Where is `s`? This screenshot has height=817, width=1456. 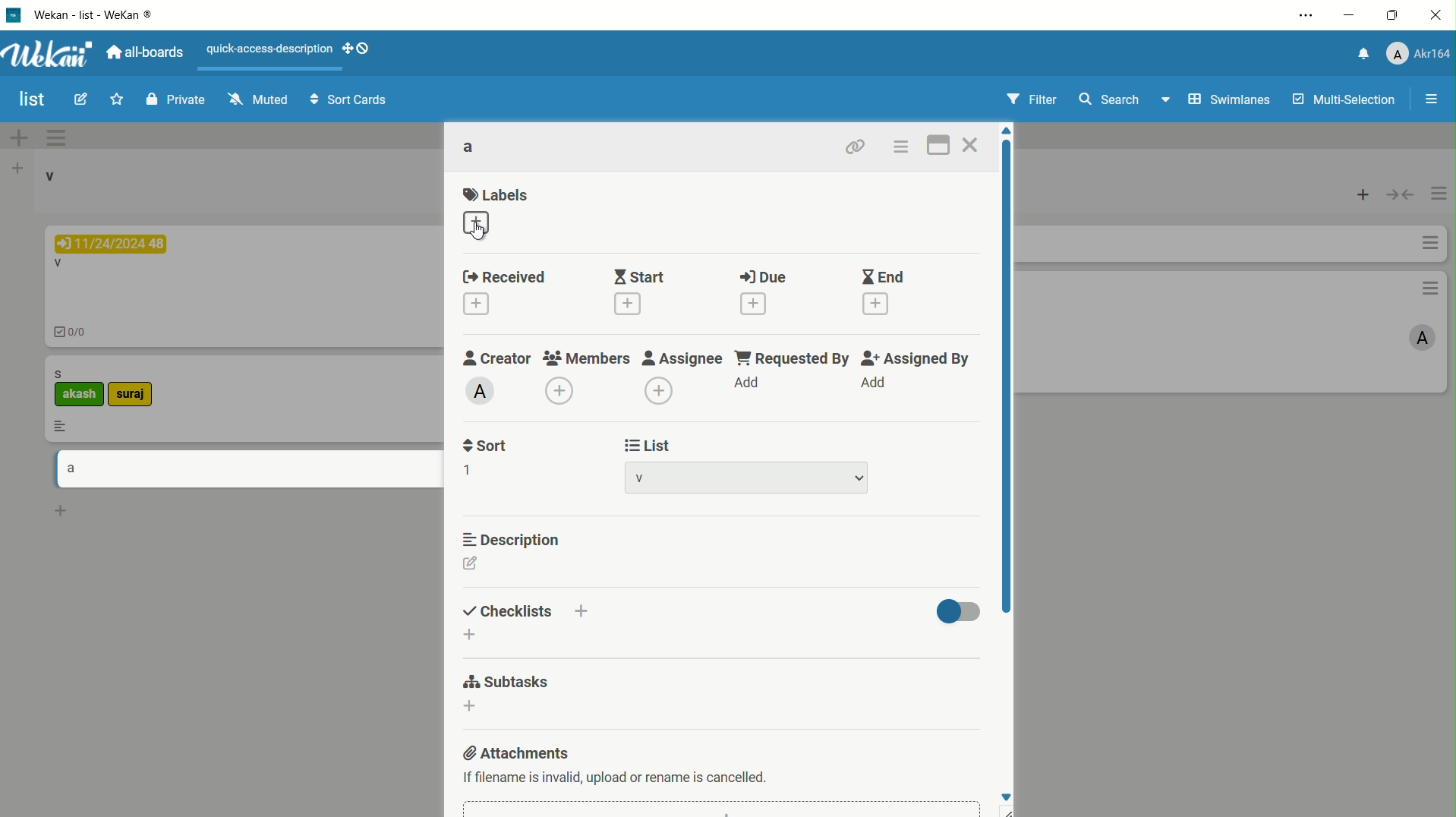
s is located at coordinates (66, 373).